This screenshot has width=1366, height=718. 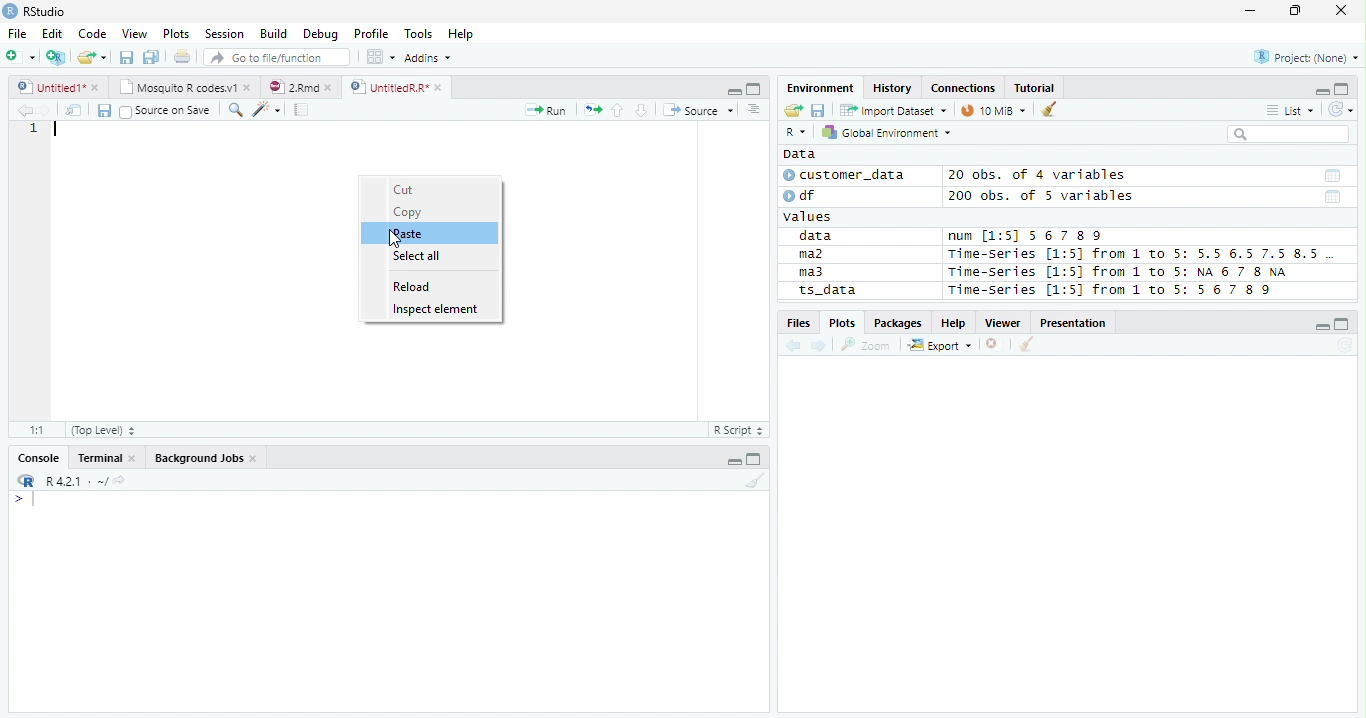 I want to click on File, so click(x=16, y=33).